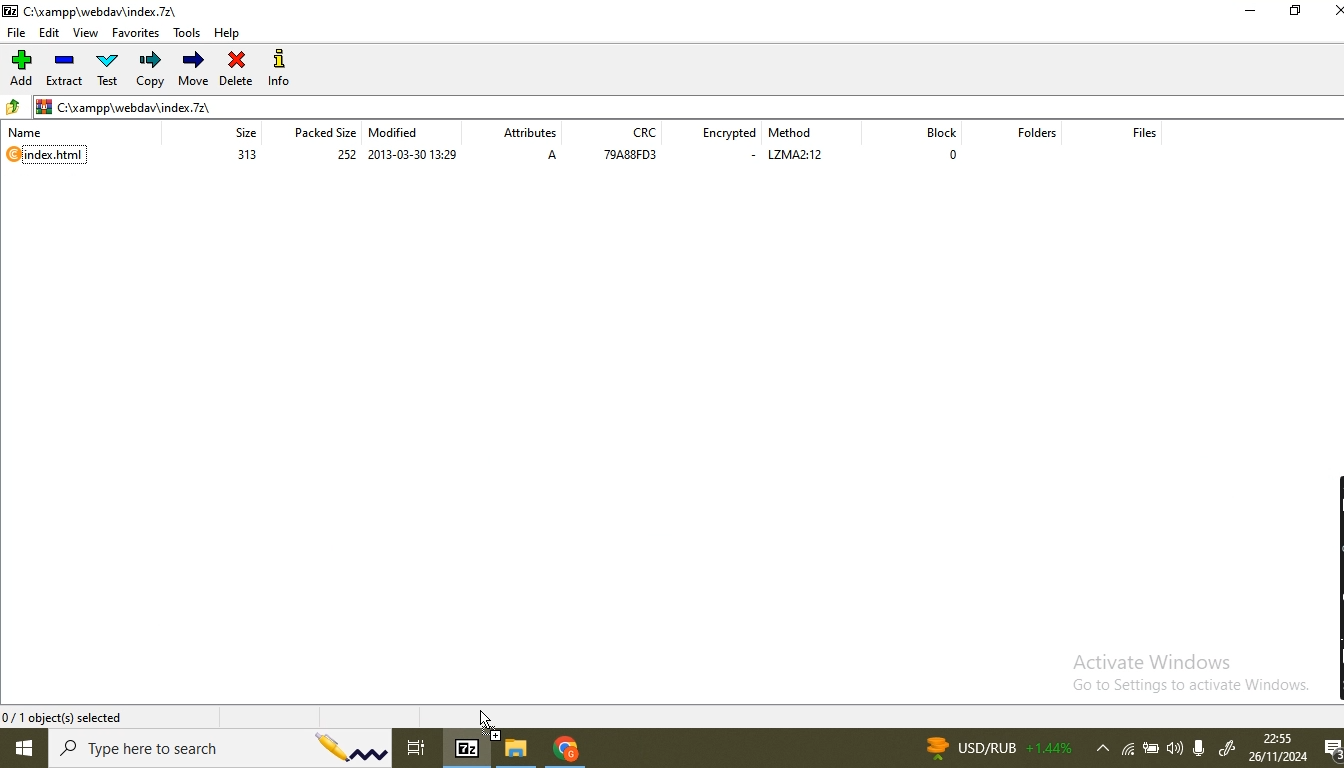 The image size is (1344, 768). What do you see at coordinates (66, 70) in the screenshot?
I see `extract` at bounding box center [66, 70].